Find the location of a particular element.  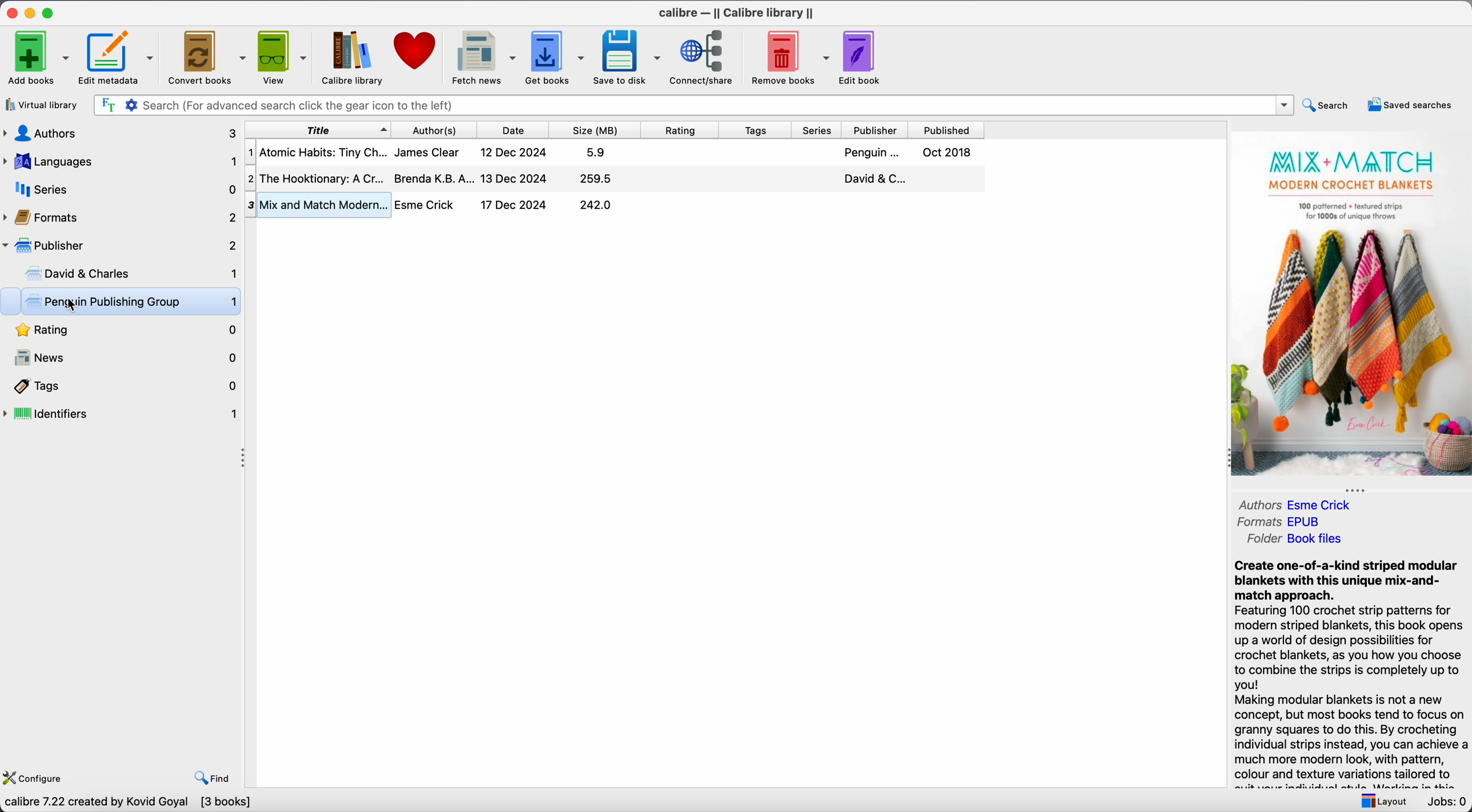

synopsis is located at coordinates (1350, 673).